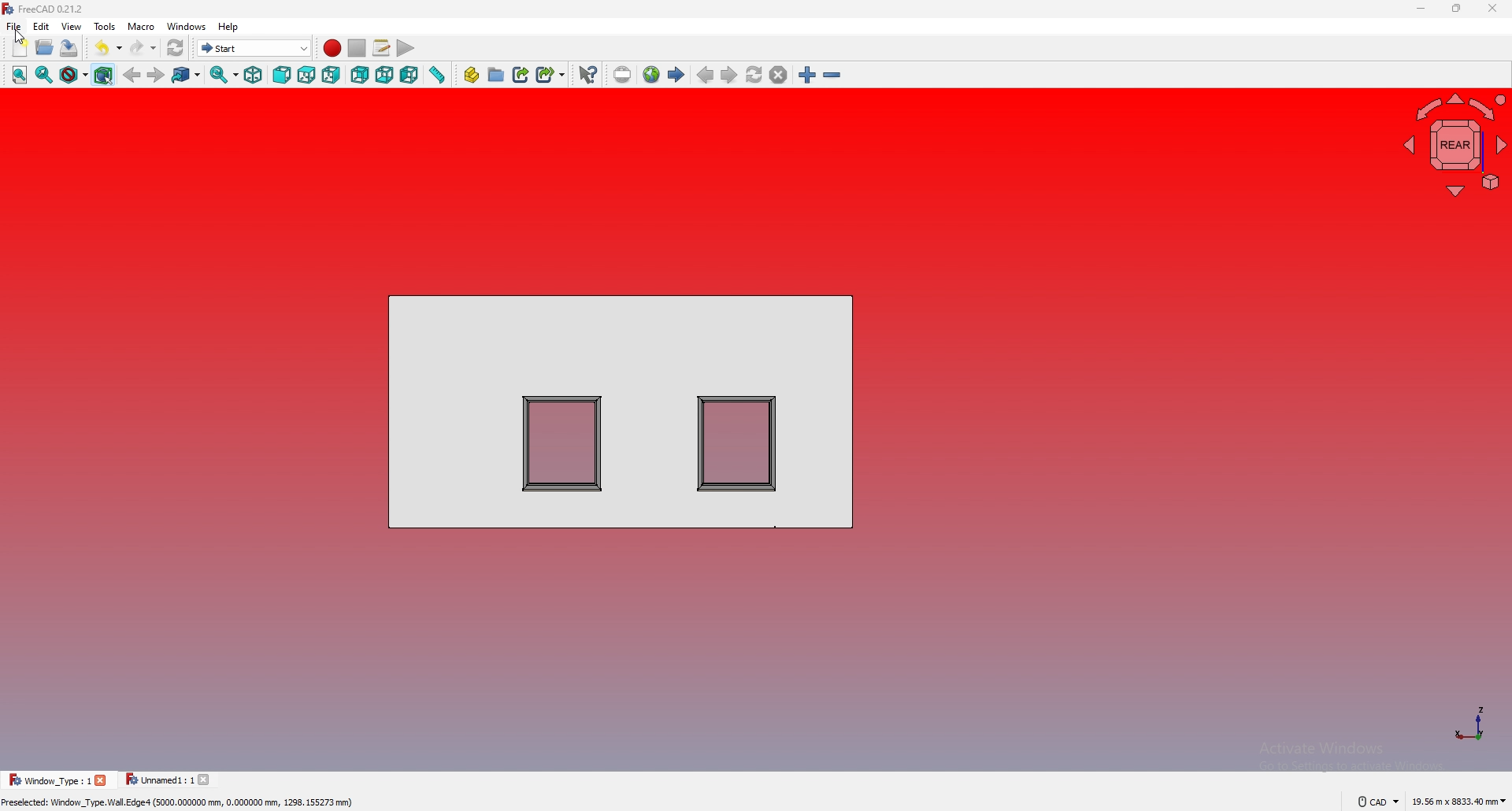  Describe the element at coordinates (102, 780) in the screenshot. I see `close` at that location.